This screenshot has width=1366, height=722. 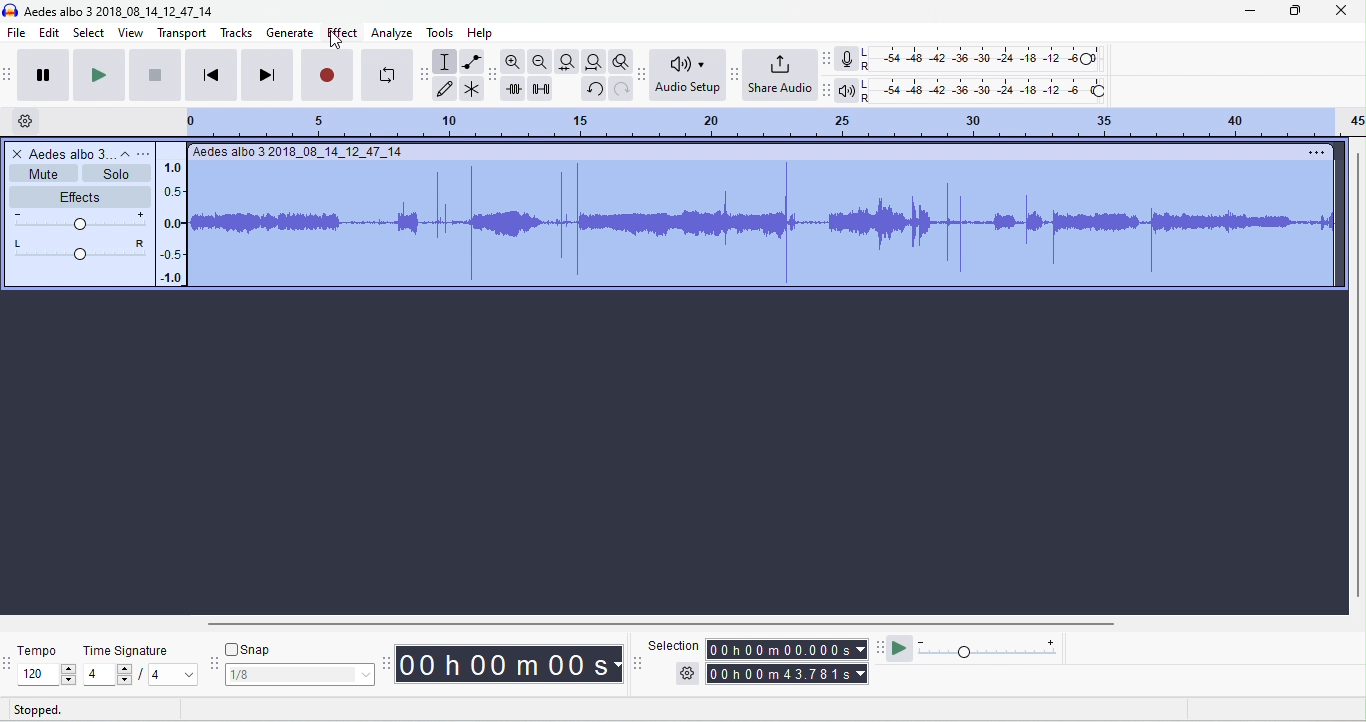 I want to click on cursor movement, so click(x=336, y=38).